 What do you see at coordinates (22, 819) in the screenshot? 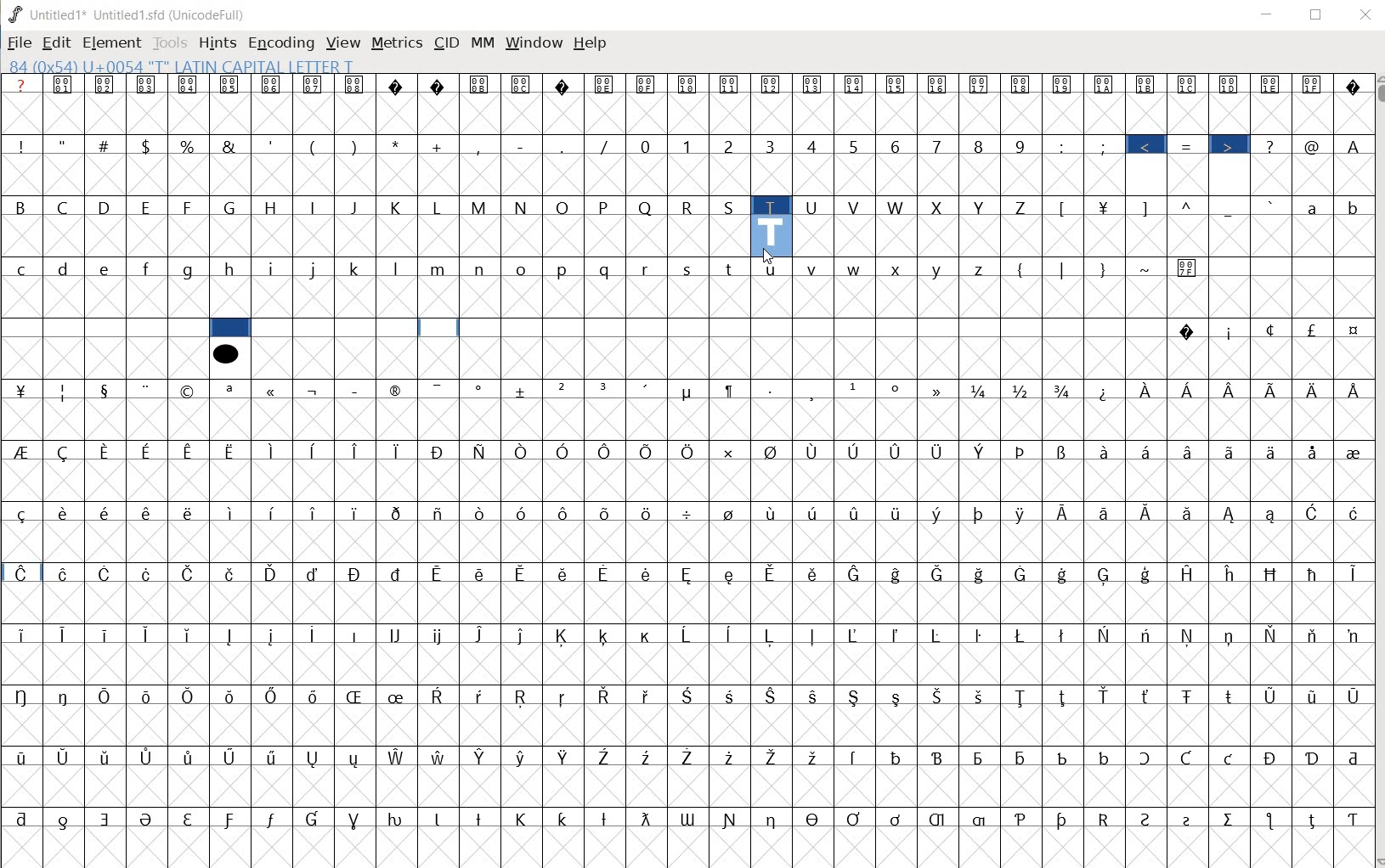
I see `Symbol` at bounding box center [22, 819].